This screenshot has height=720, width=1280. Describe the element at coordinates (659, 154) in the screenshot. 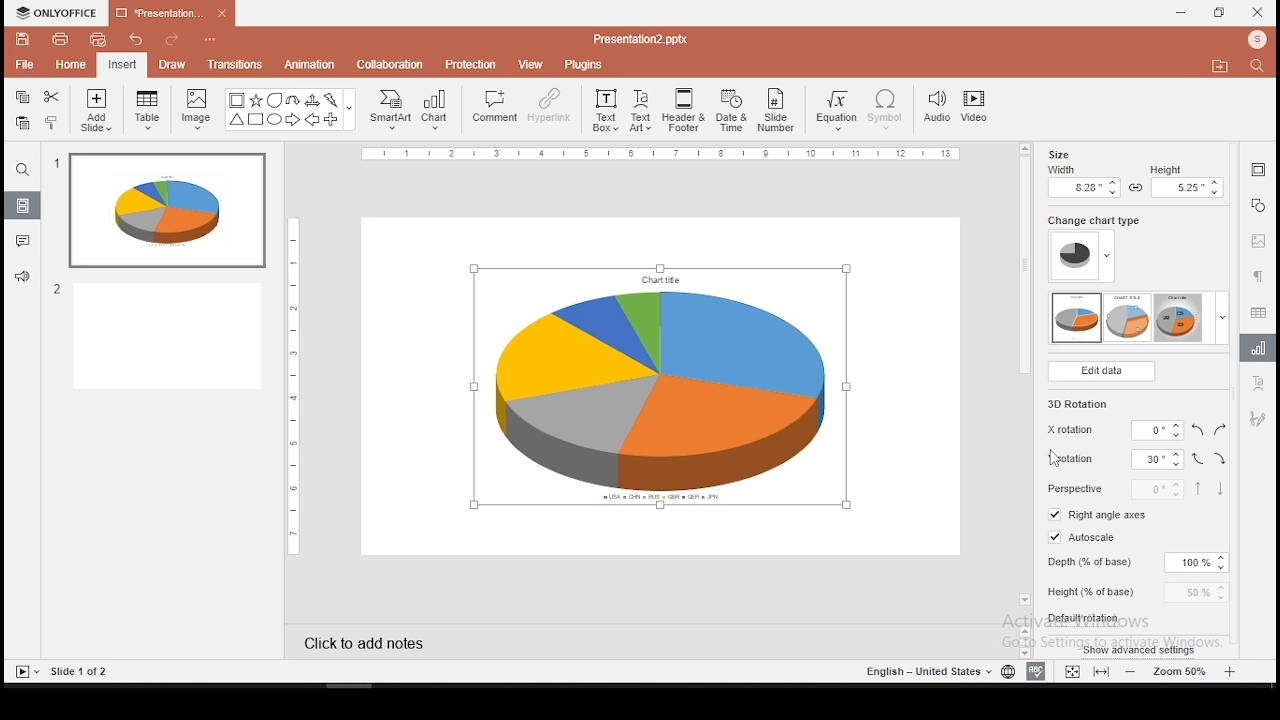

I see `Scale` at that location.